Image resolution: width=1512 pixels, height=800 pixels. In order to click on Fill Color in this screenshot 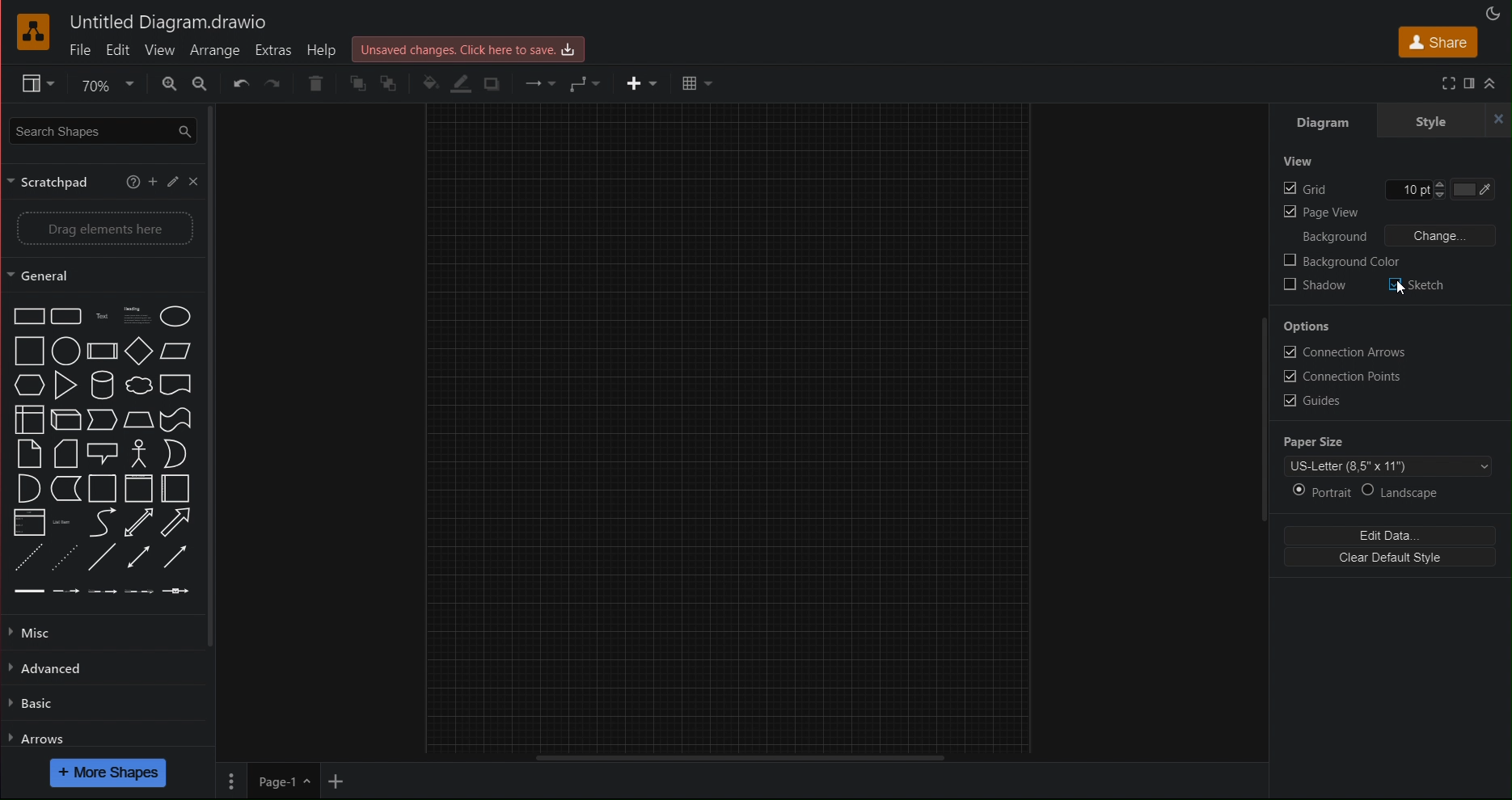, I will do `click(424, 82)`.